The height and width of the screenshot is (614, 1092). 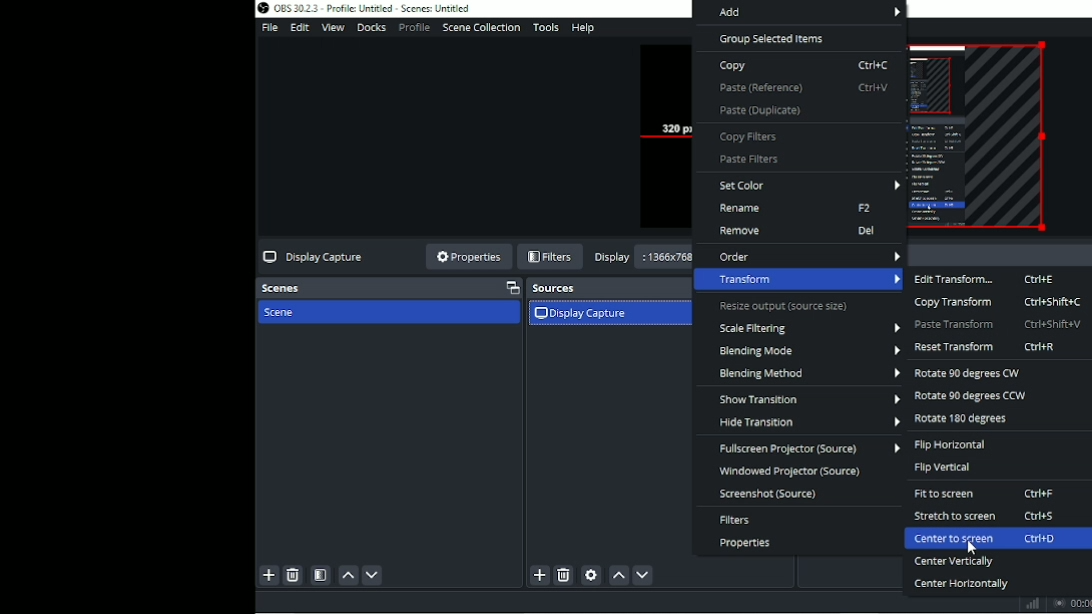 I want to click on Scenes, so click(x=389, y=287).